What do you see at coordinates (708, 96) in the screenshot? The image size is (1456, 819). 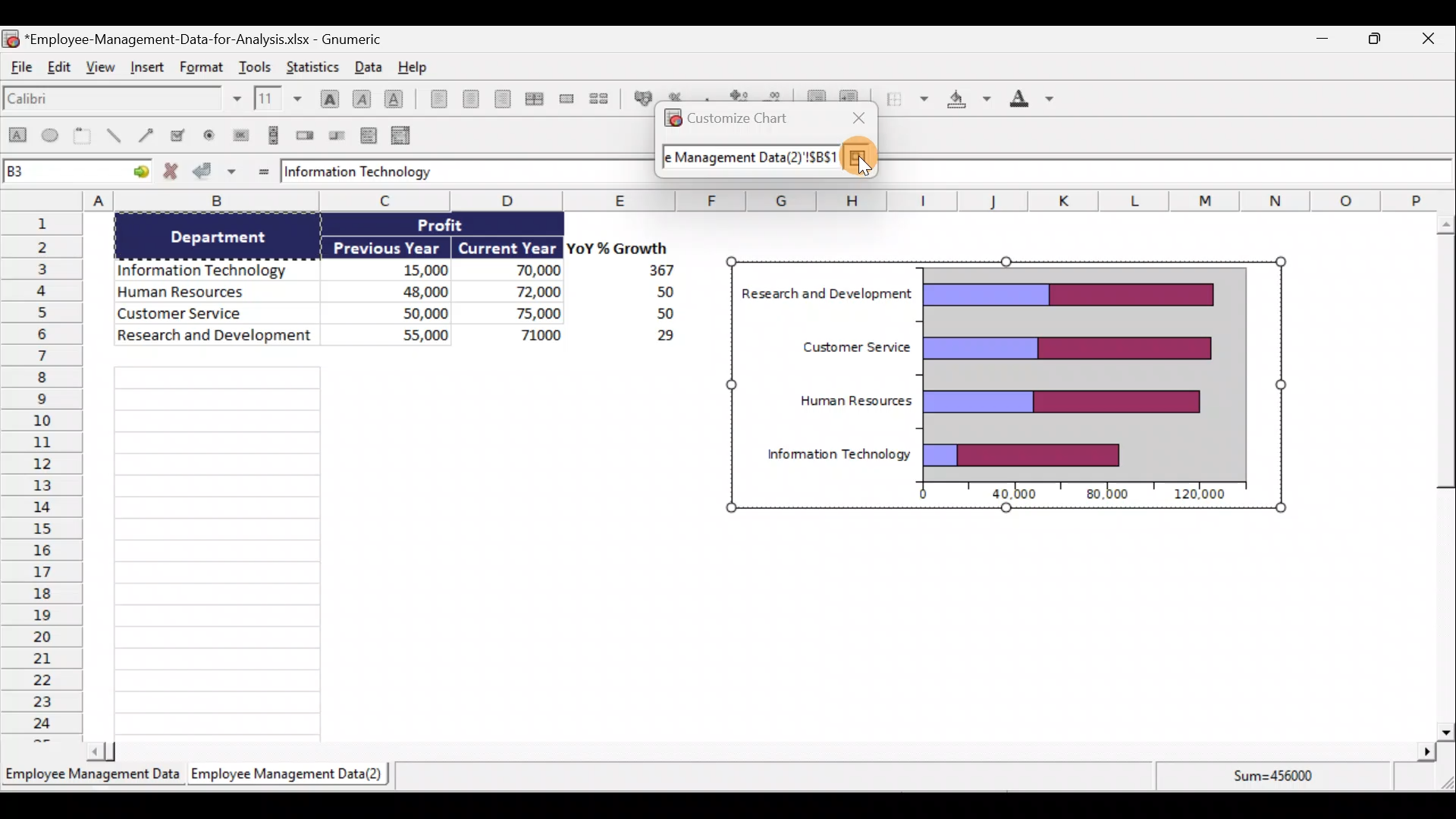 I see `Set the format of the selected cells to include a thousands separator` at bounding box center [708, 96].